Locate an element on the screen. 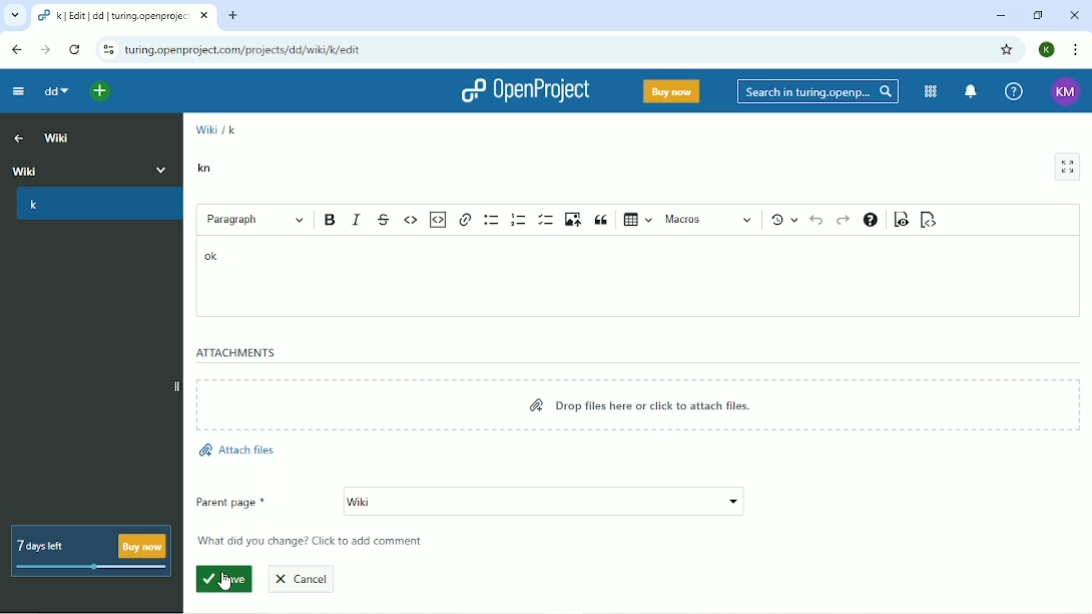  Reload this page is located at coordinates (76, 49).